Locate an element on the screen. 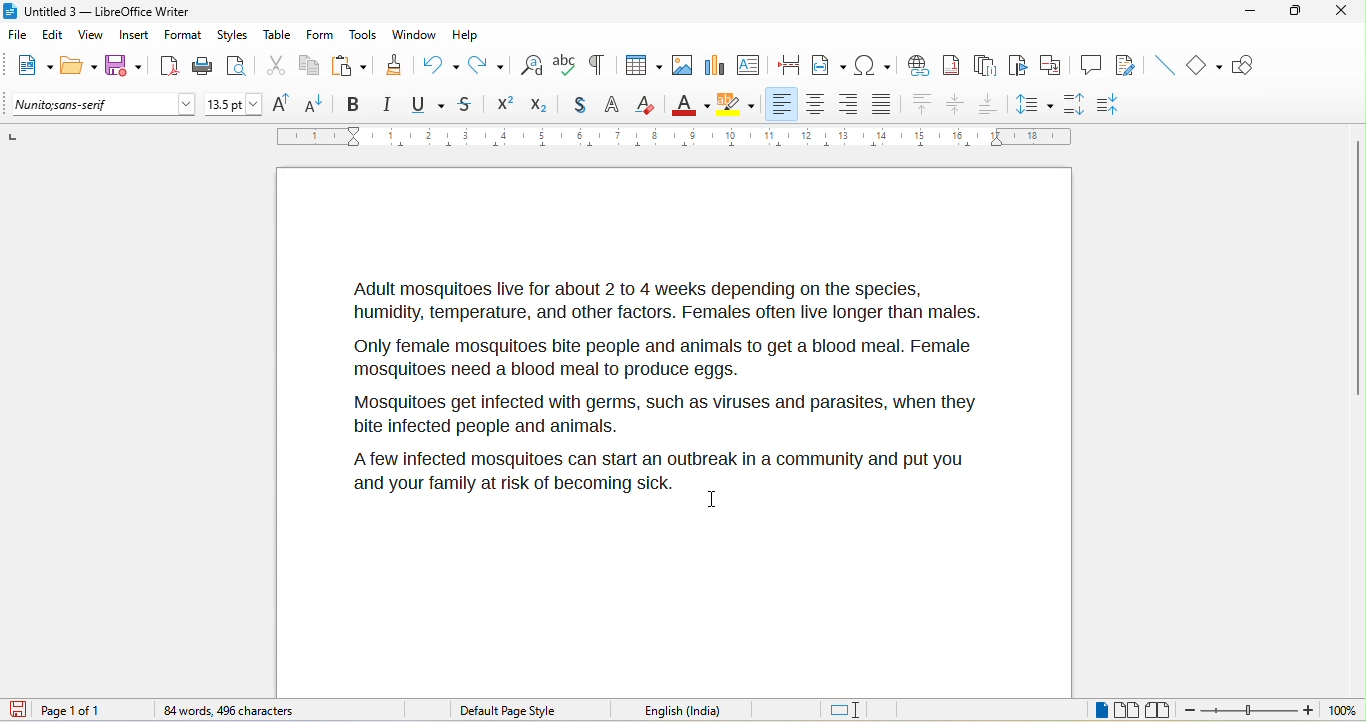 The image size is (1366, 722). subscript is located at coordinates (544, 103).